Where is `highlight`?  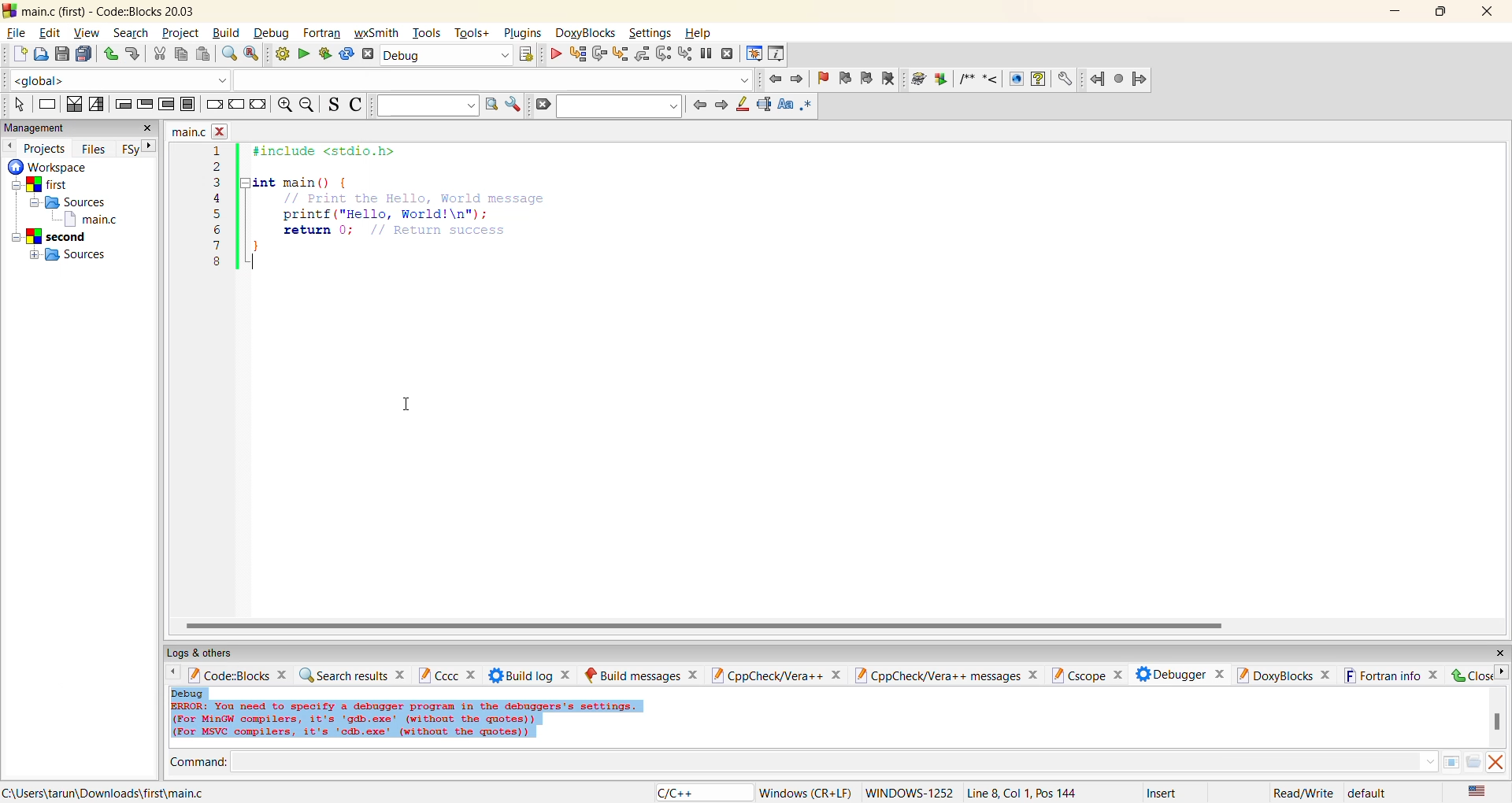
highlight is located at coordinates (743, 105).